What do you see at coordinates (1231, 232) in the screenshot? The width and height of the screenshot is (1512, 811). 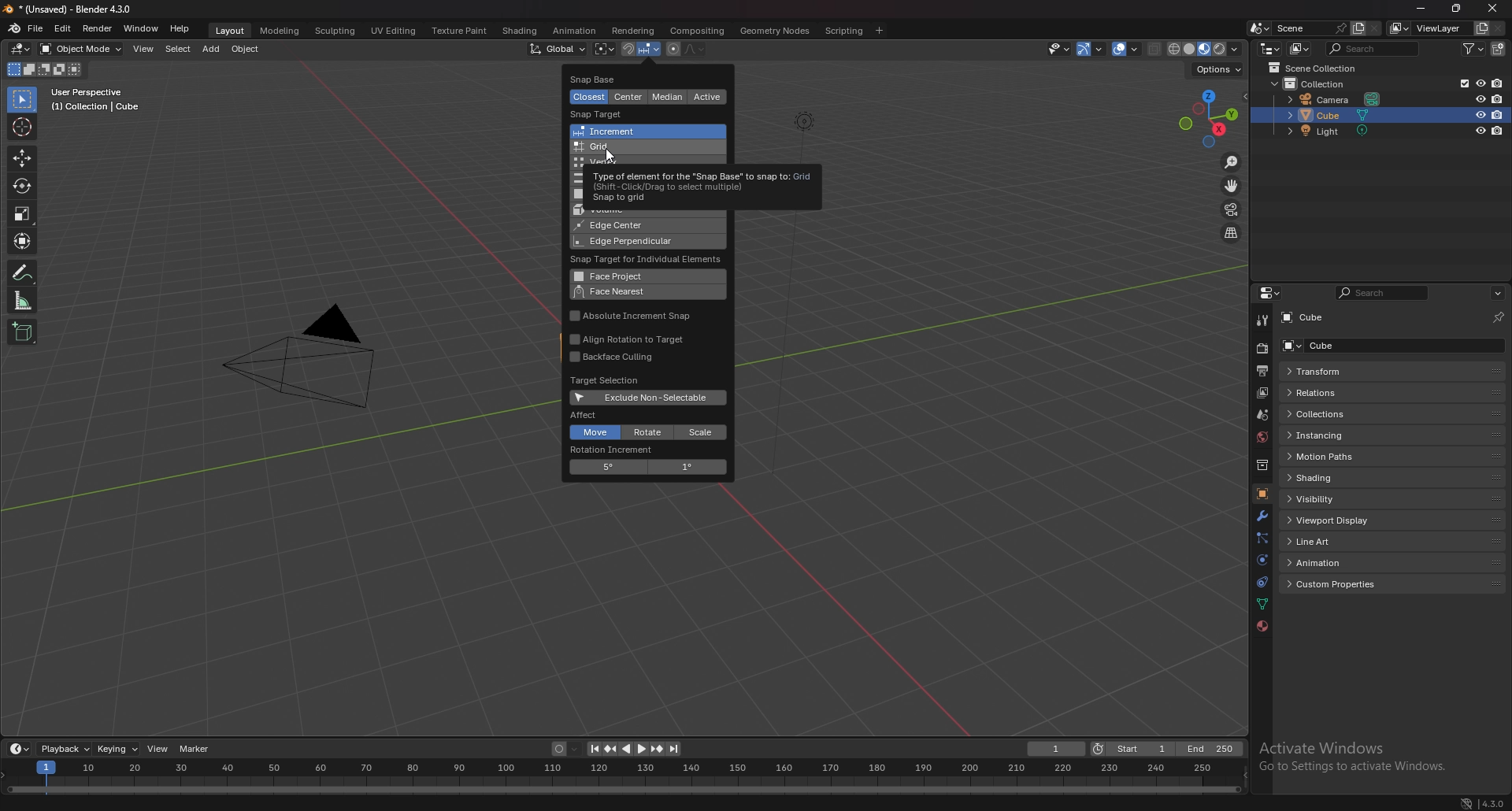 I see `perspective/orthographic` at bounding box center [1231, 232].